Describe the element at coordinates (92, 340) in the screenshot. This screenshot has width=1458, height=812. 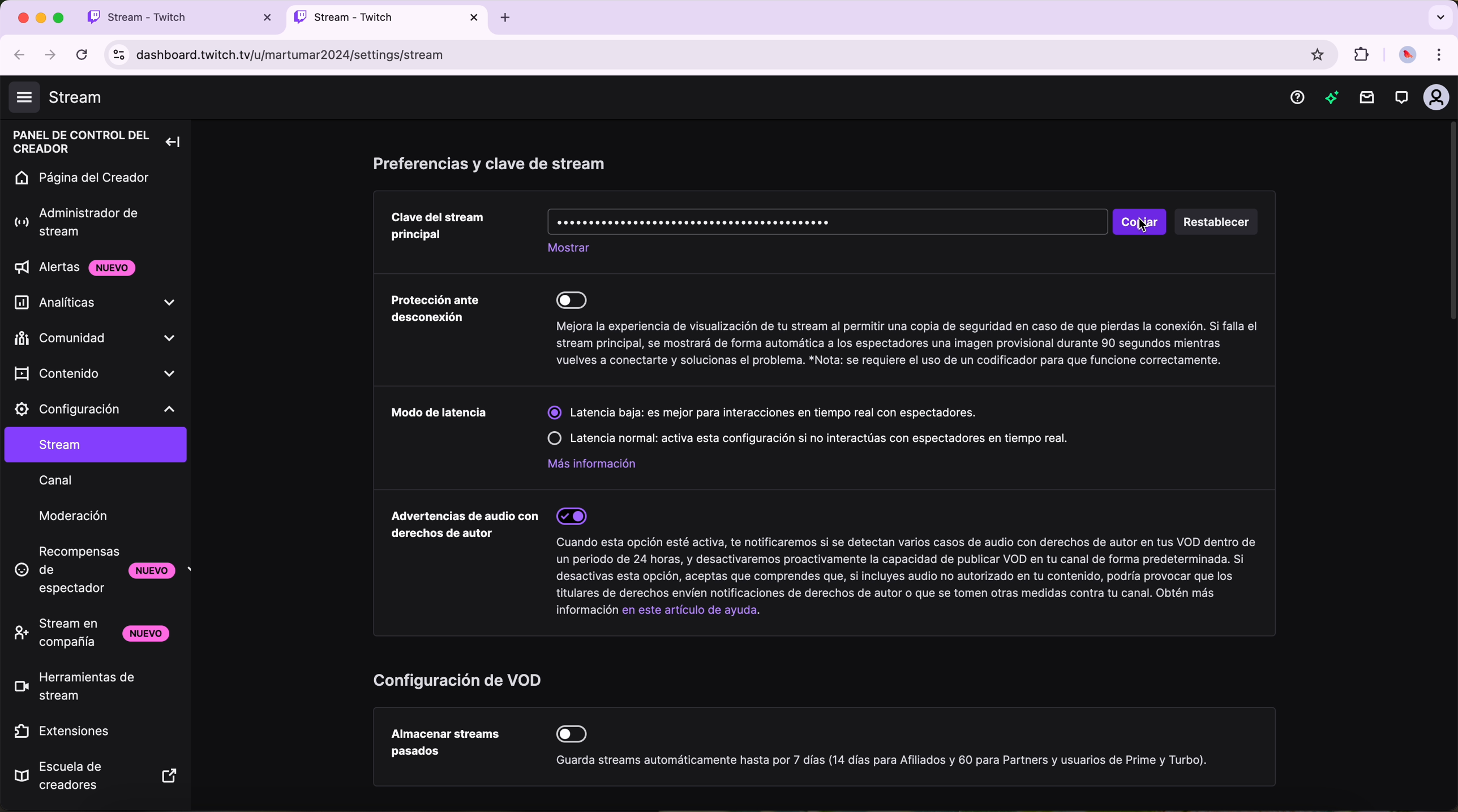
I see `community` at that location.